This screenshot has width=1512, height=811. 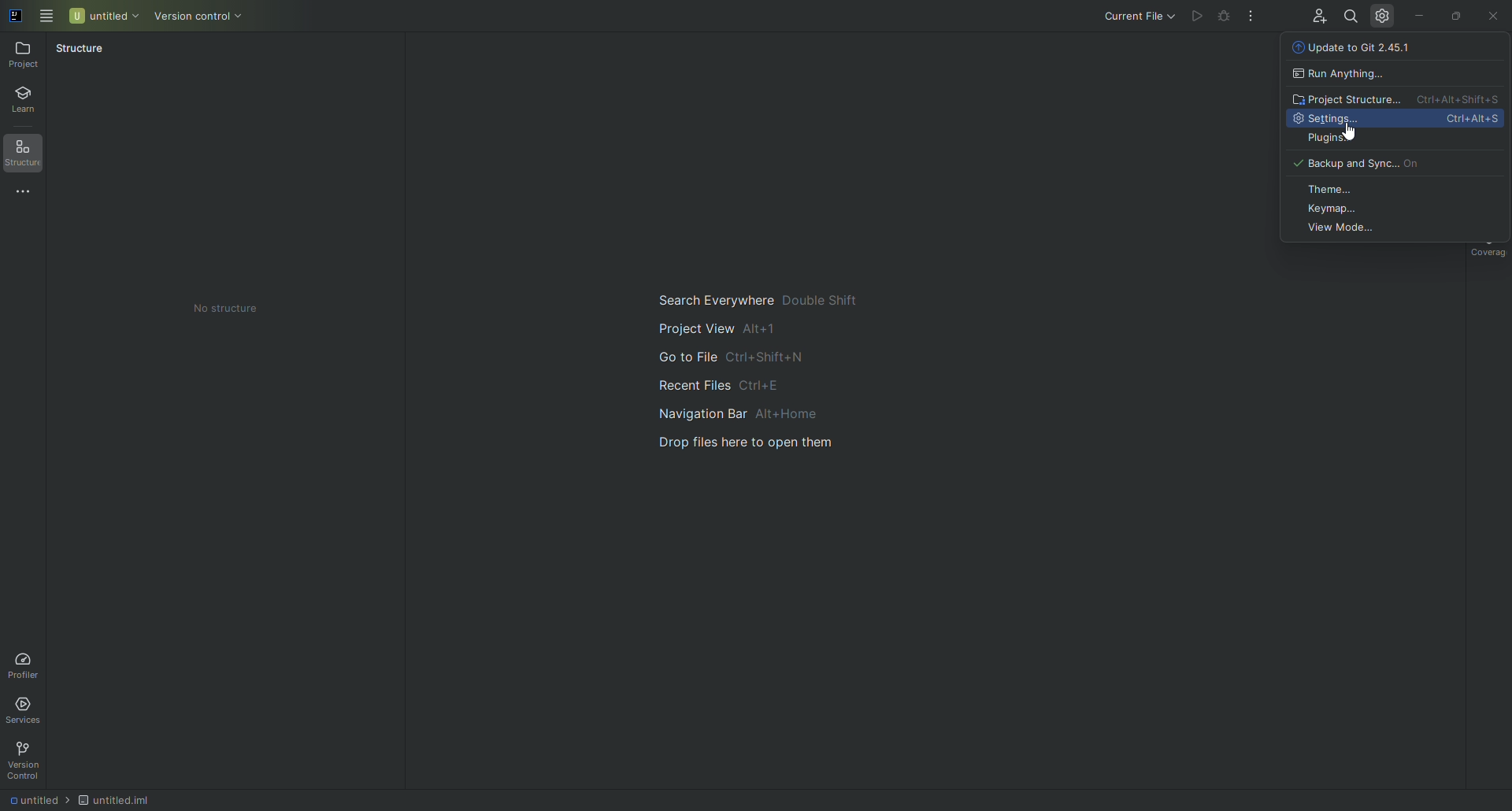 What do you see at coordinates (1251, 16) in the screenshot?
I see `More Actions` at bounding box center [1251, 16].